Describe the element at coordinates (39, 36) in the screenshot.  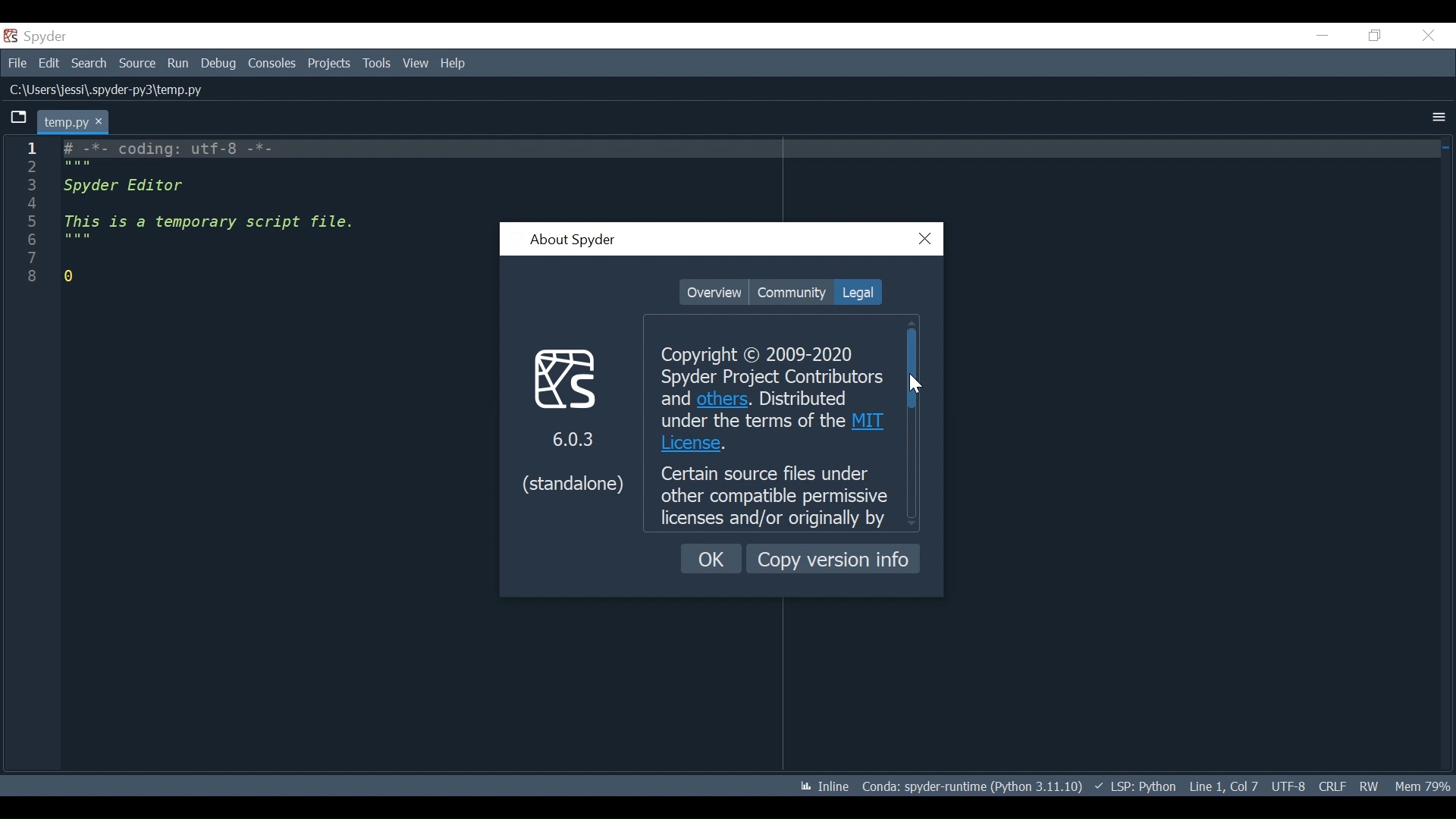
I see `Spyder Desktop Icon` at that location.